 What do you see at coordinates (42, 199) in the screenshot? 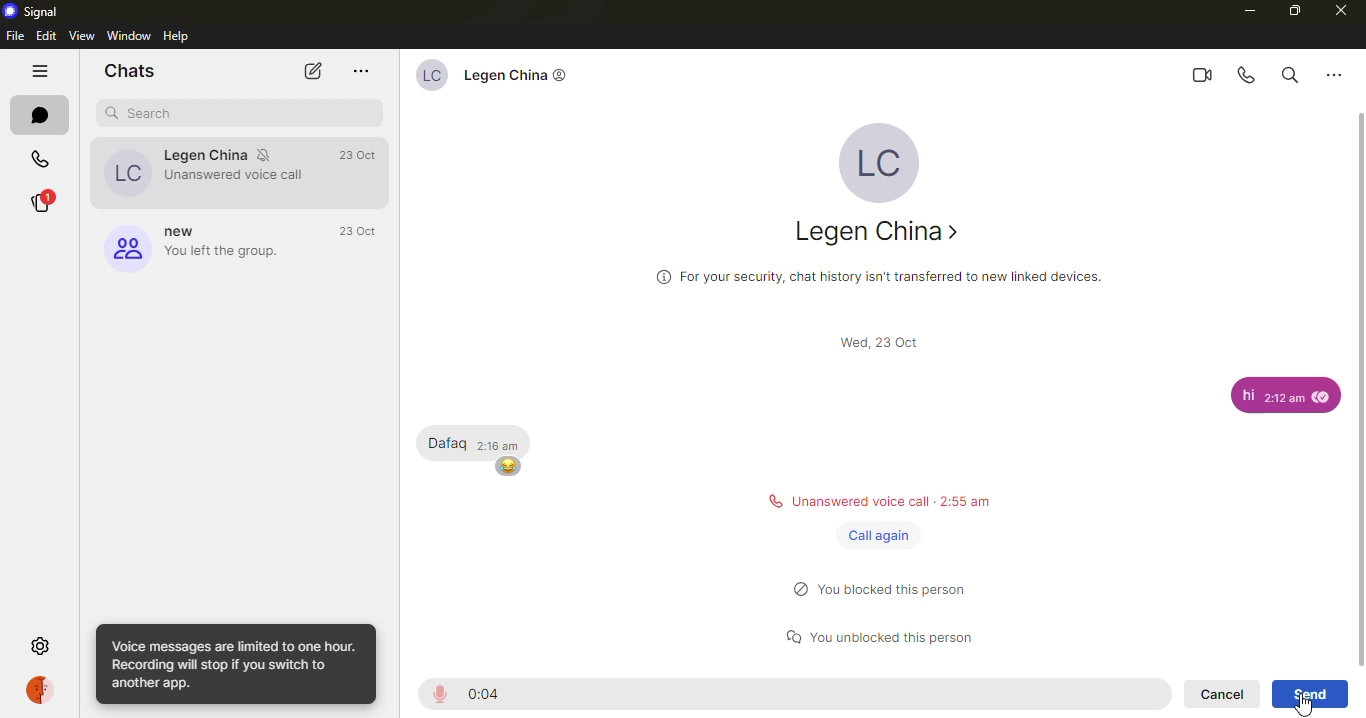
I see `stories` at bounding box center [42, 199].